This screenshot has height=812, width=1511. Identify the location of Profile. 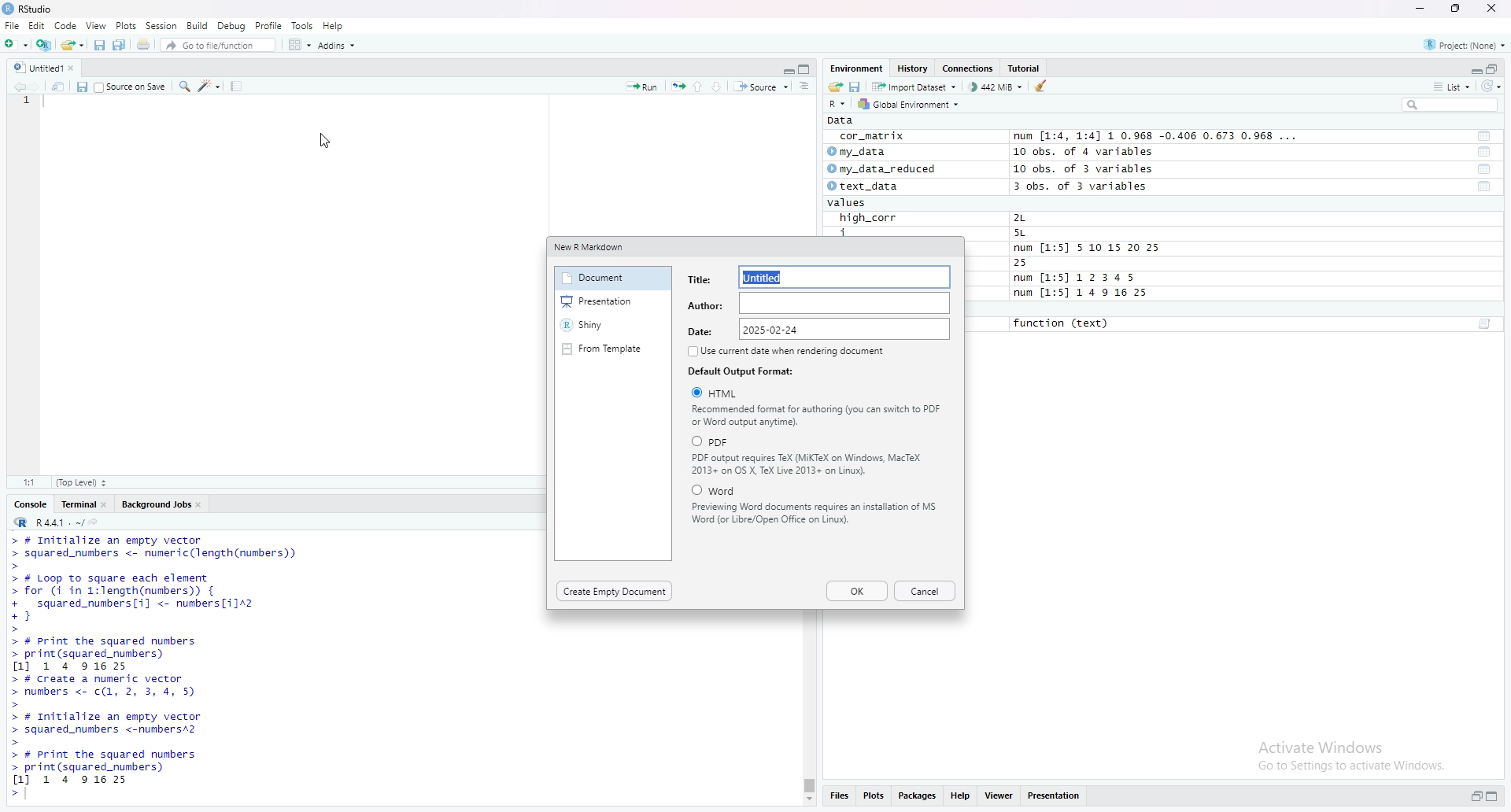
(268, 25).